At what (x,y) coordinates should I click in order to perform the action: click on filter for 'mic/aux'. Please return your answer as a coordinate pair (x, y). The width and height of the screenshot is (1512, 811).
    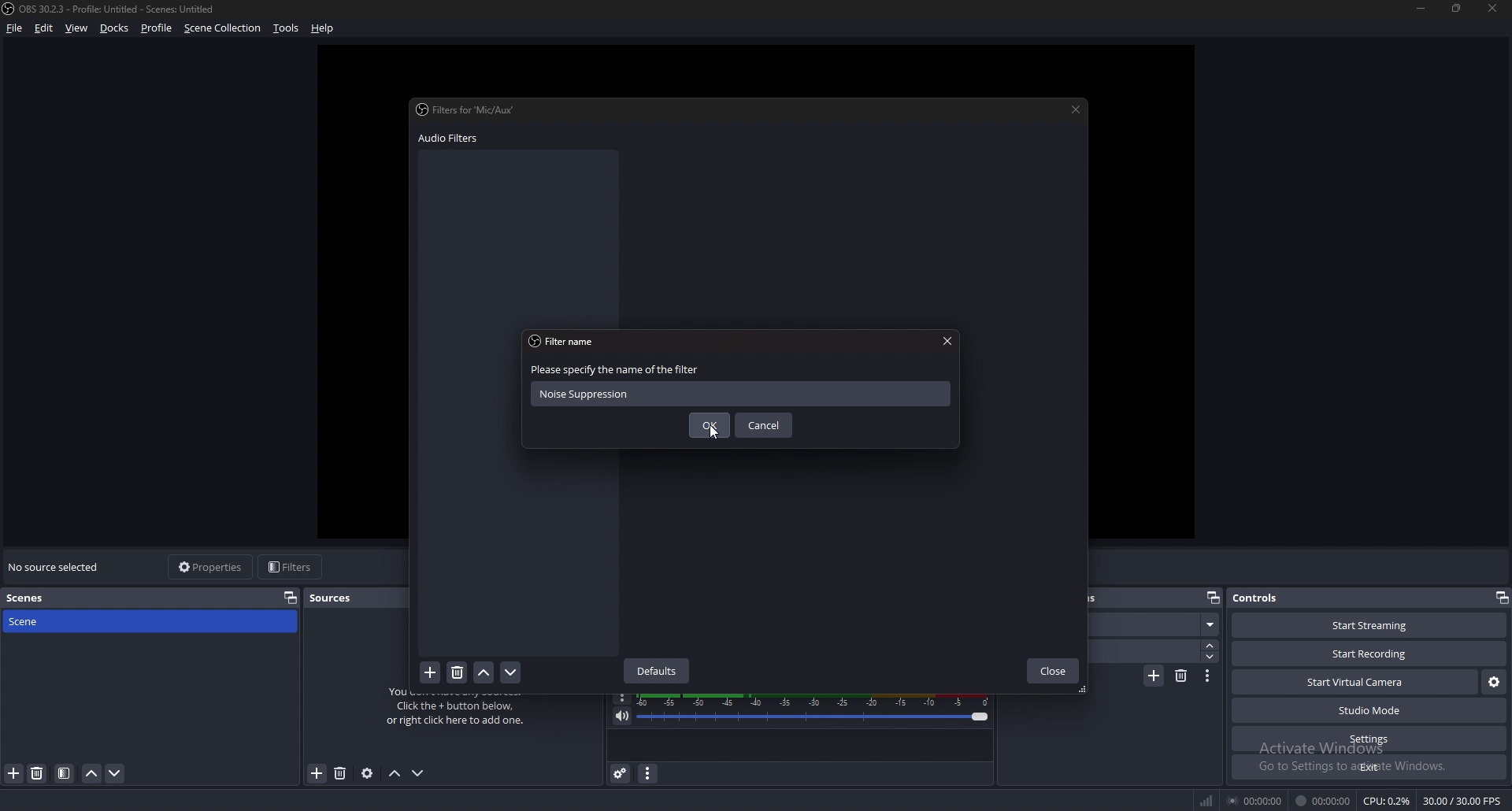
    Looking at the image, I should click on (469, 111).